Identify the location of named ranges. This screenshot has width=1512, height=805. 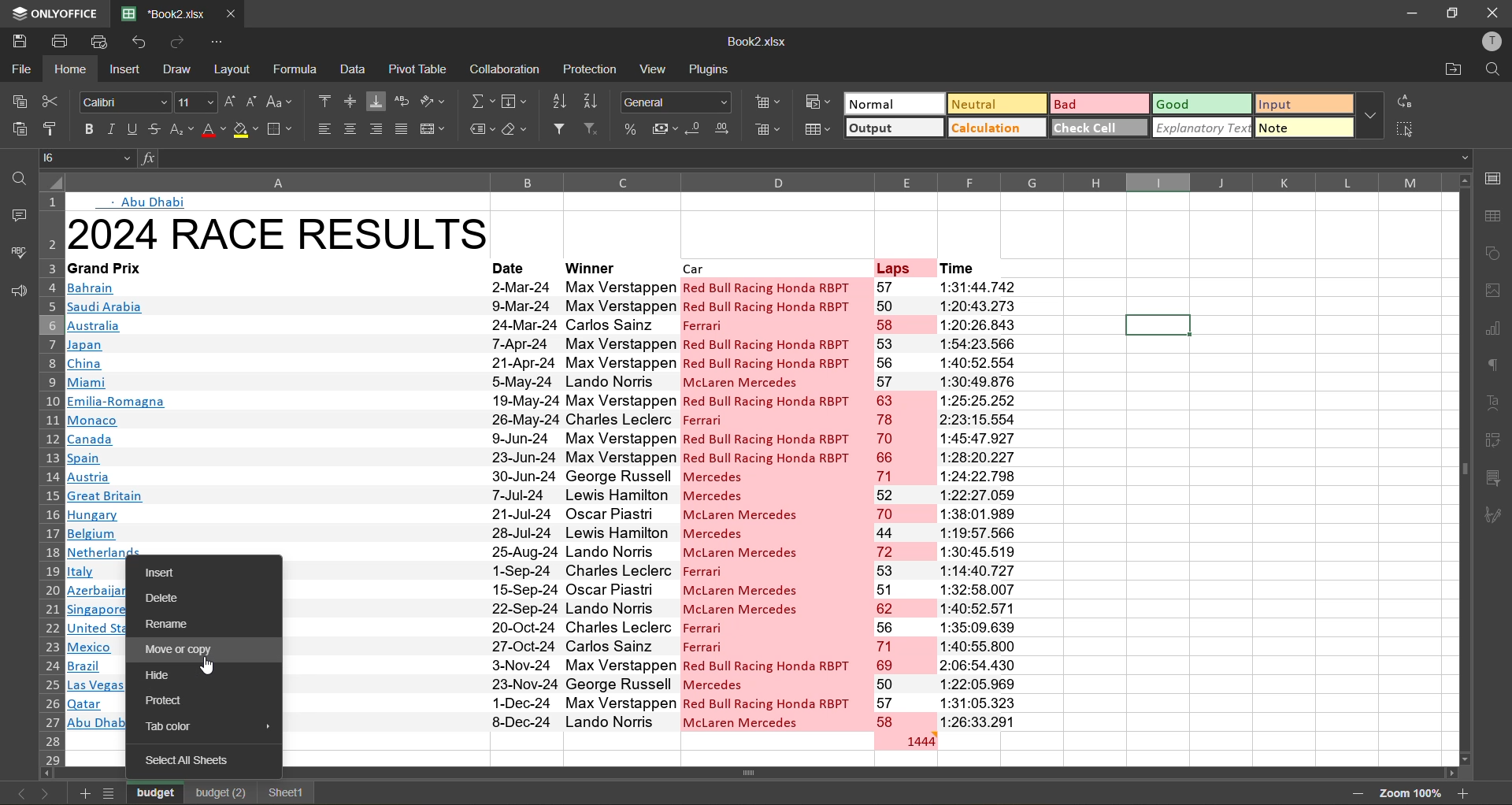
(481, 130).